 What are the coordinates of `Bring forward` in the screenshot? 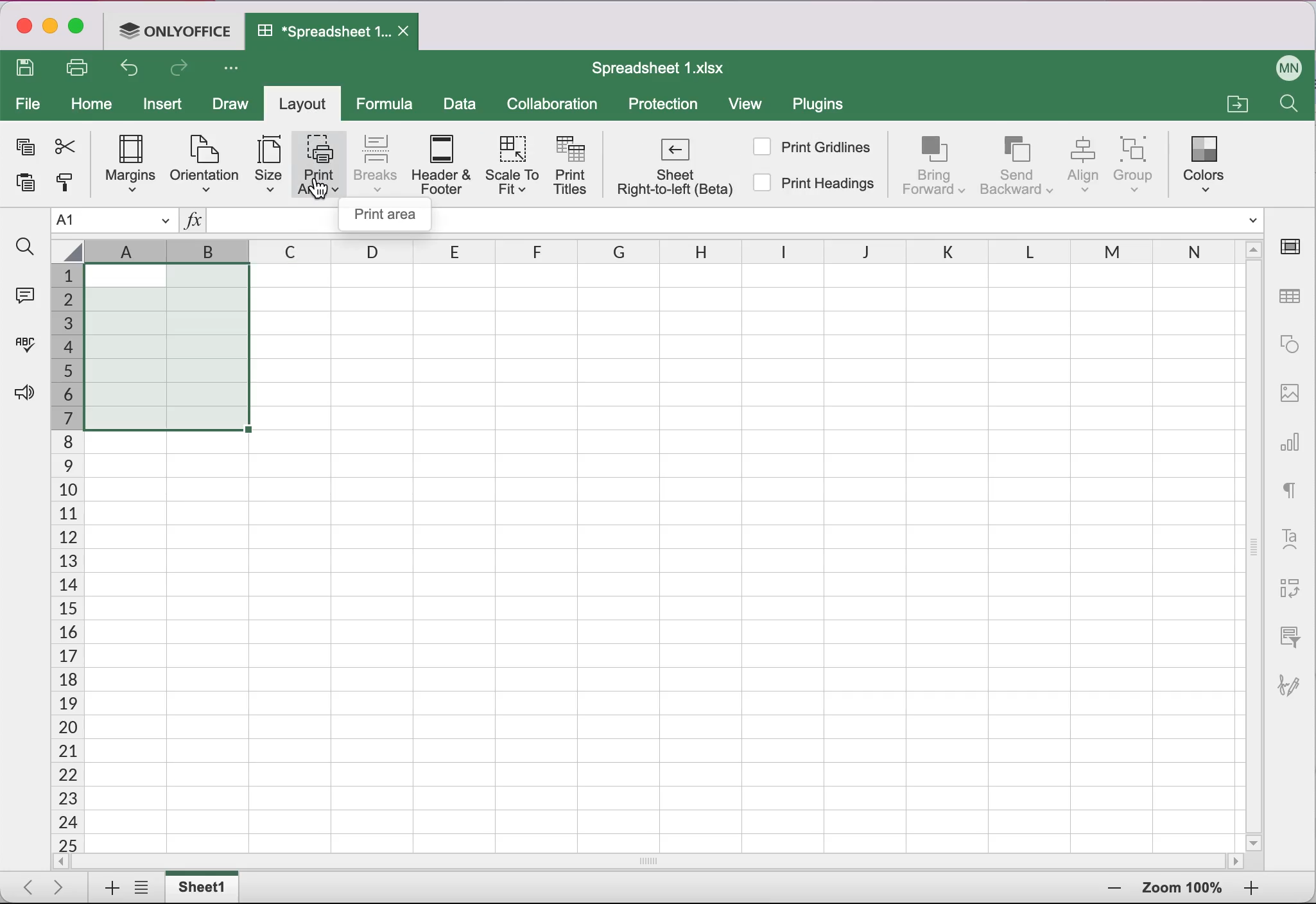 It's located at (935, 165).